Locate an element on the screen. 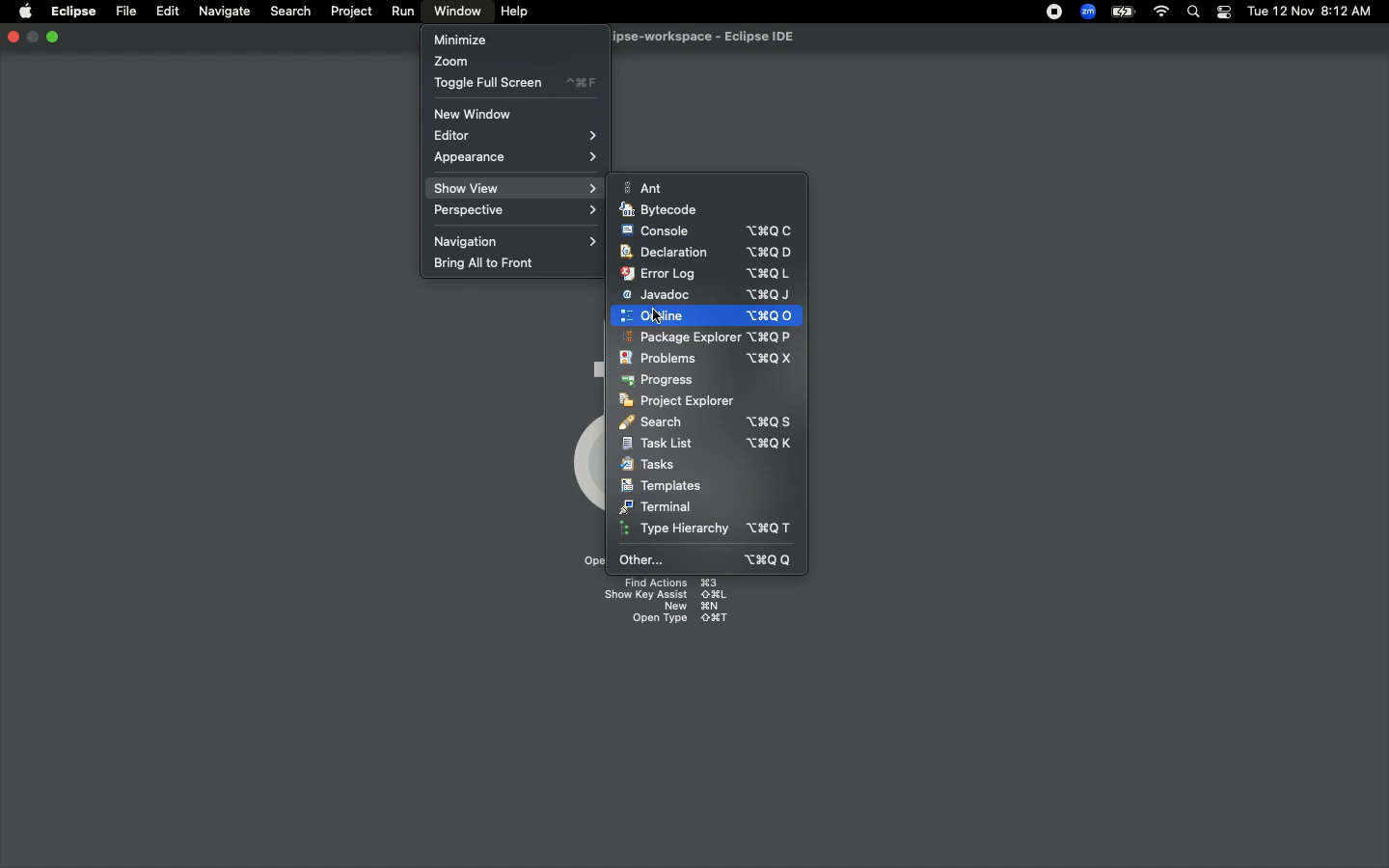  Search is located at coordinates (703, 422).